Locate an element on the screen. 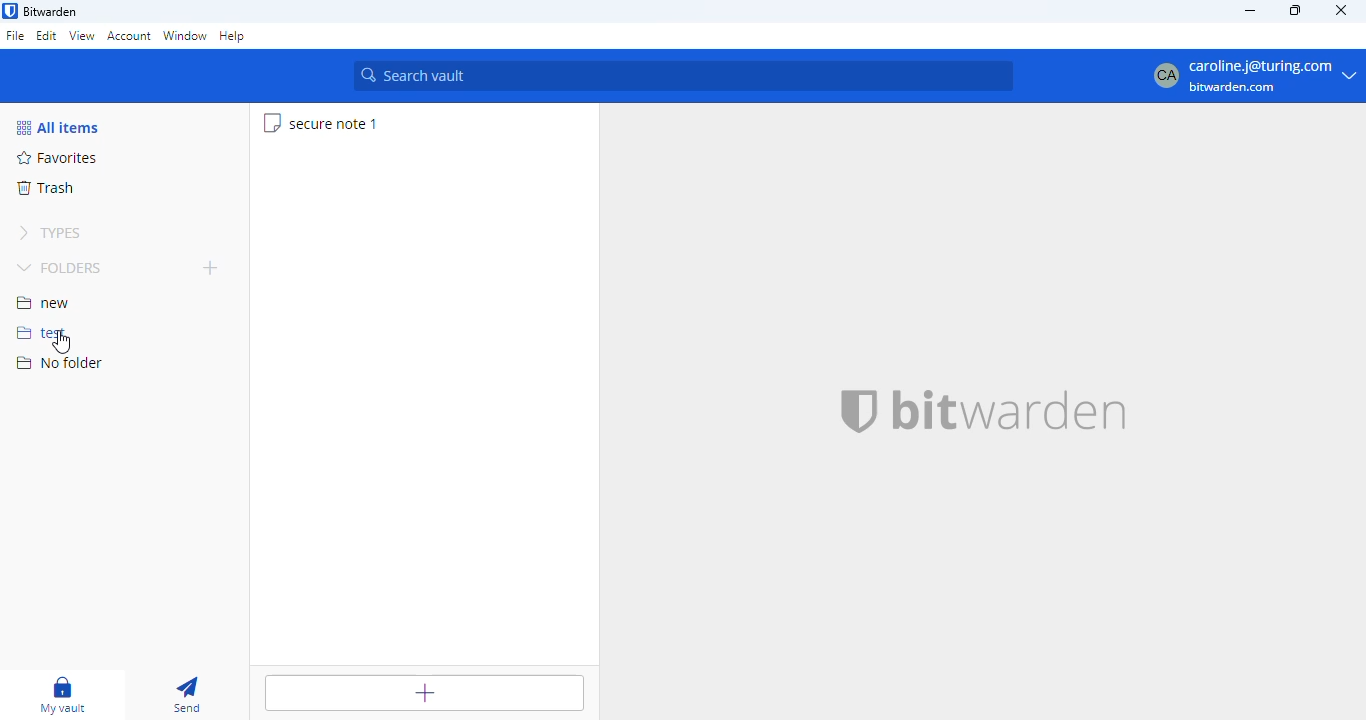 The image size is (1366, 720). all items is located at coordinates (60, 128).